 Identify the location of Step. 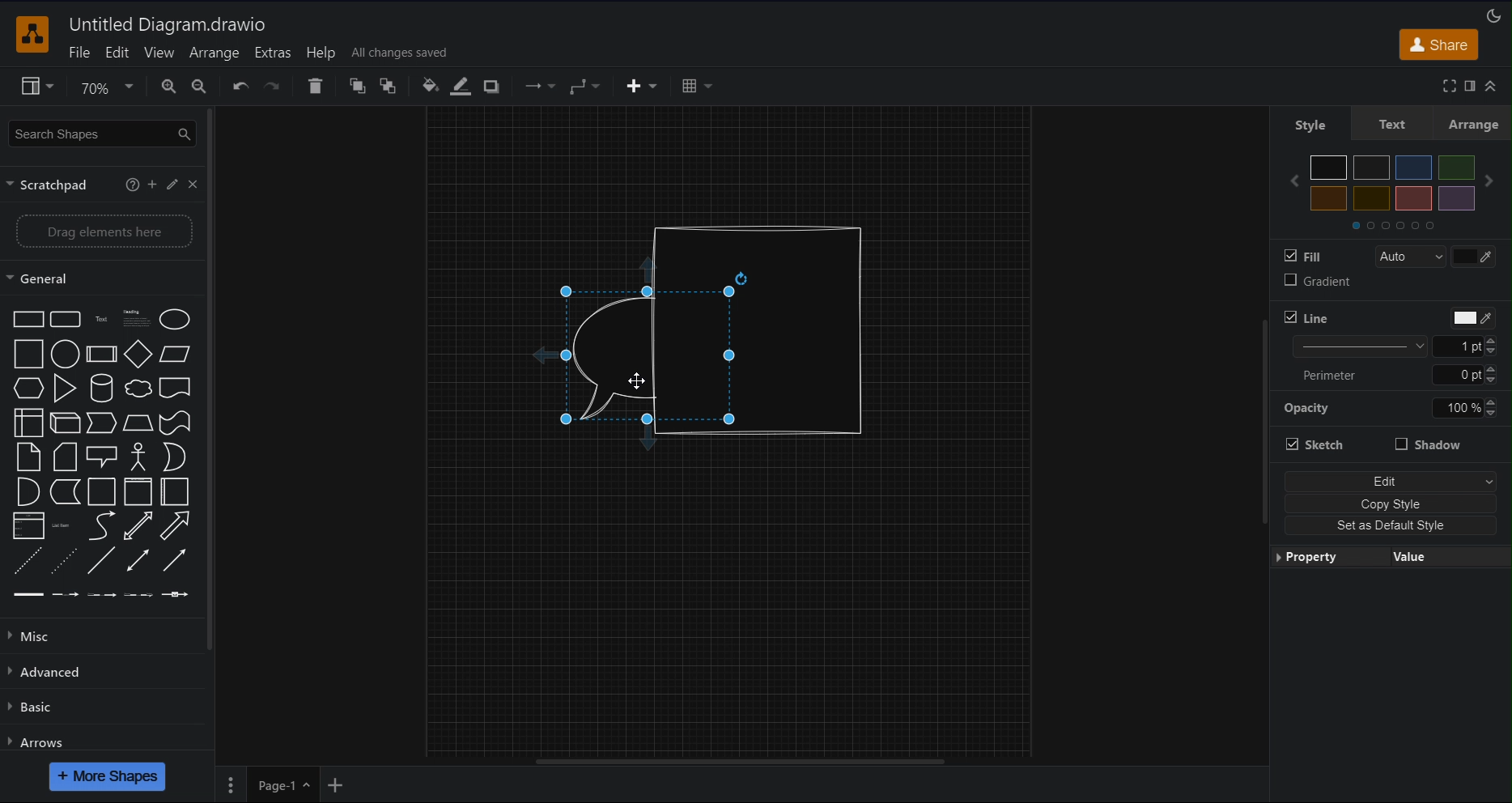
(101, 423).